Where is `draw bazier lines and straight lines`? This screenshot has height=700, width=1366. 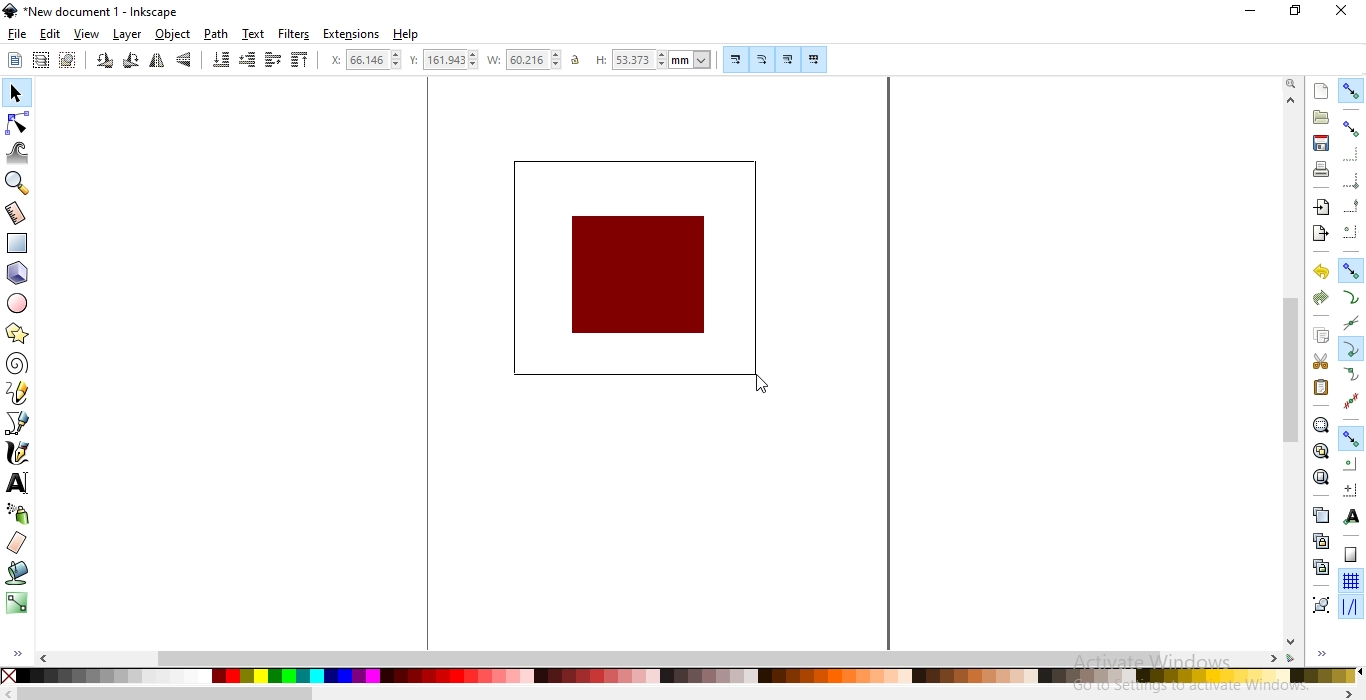
draw bazier lines and straight lines is located at coordinates (18, 423).